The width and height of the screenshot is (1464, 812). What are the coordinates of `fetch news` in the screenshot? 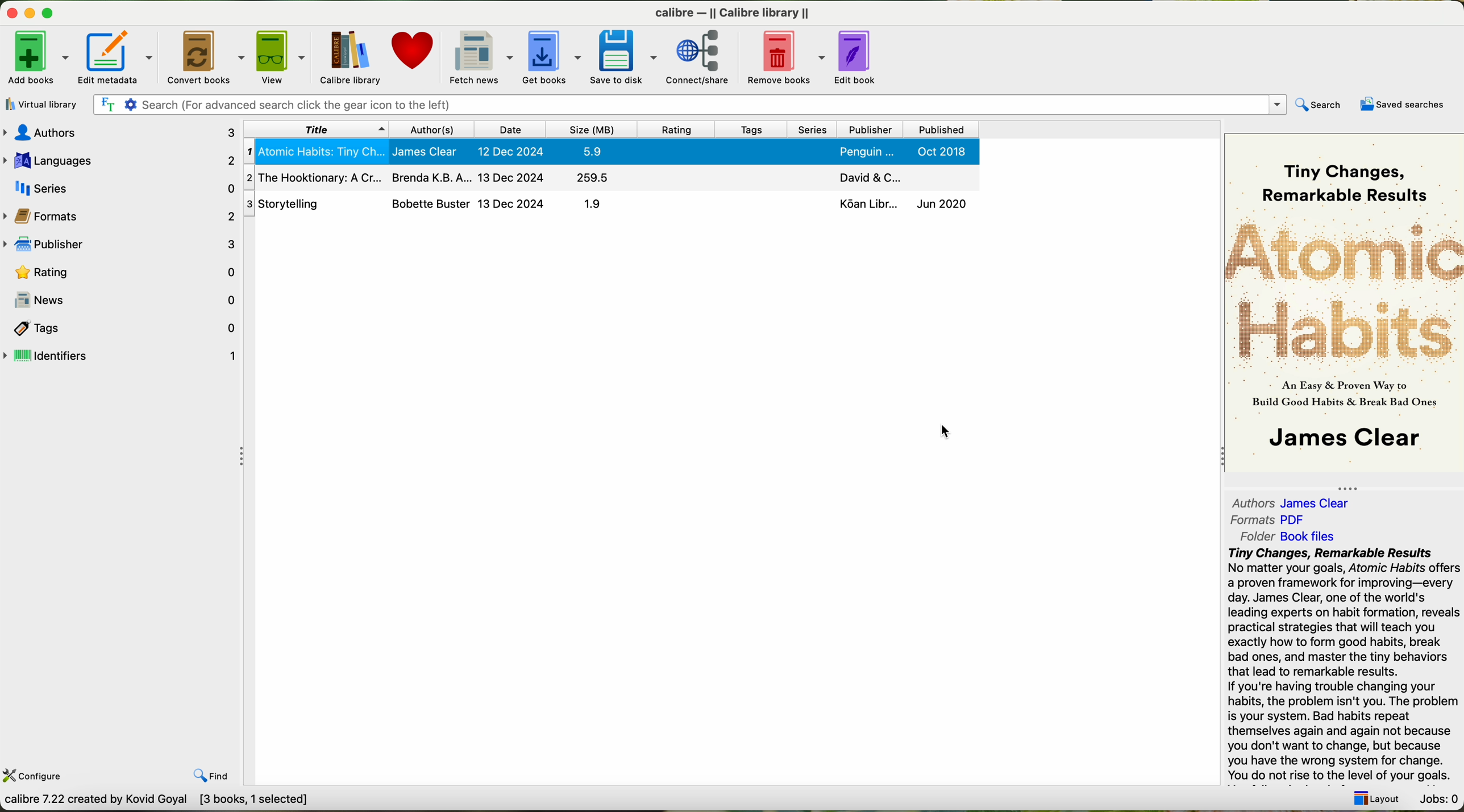 It's located at (481, 56).